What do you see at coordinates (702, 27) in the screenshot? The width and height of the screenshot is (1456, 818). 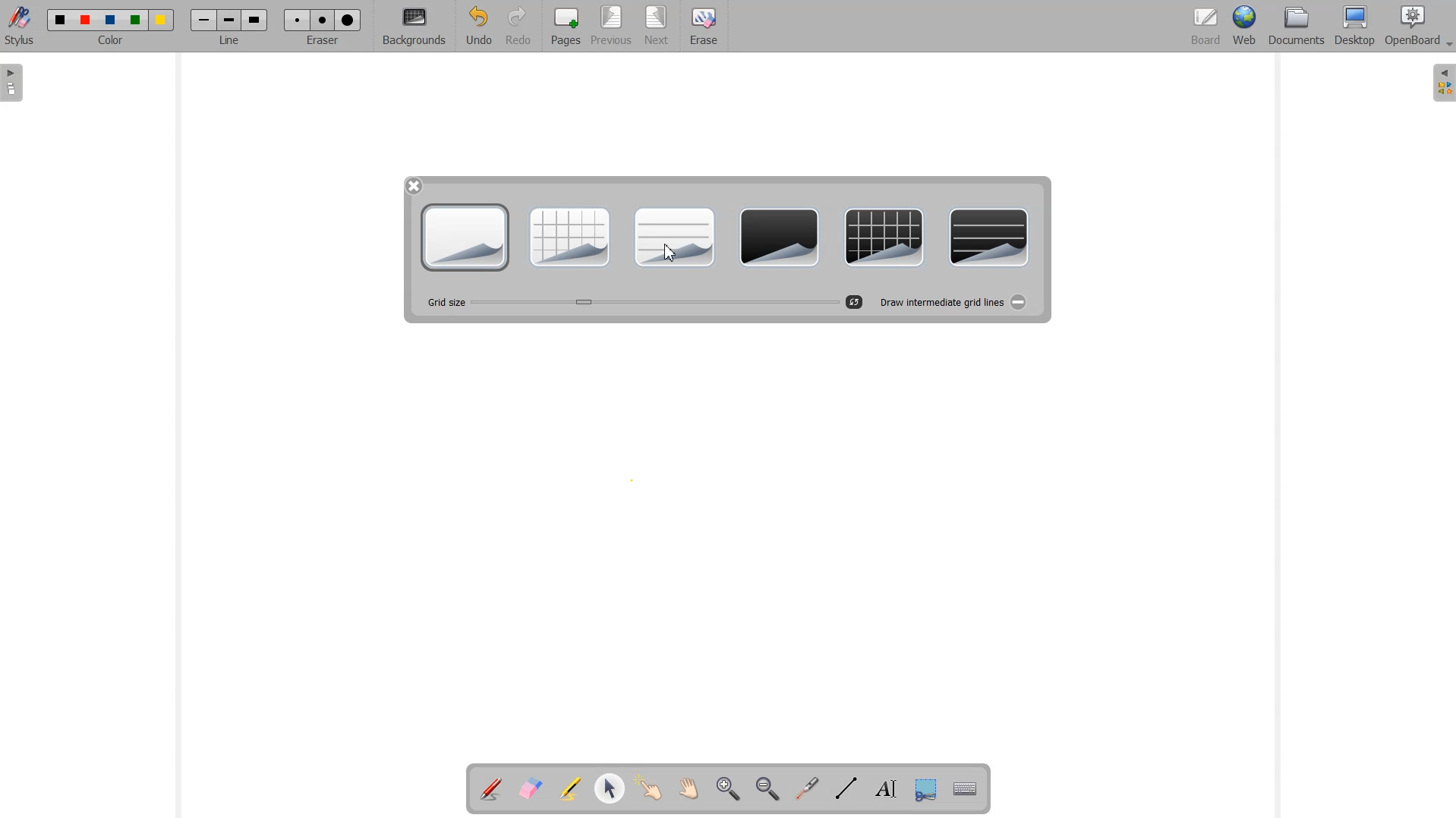 I see `Erase` at bounding box center [702, 27].